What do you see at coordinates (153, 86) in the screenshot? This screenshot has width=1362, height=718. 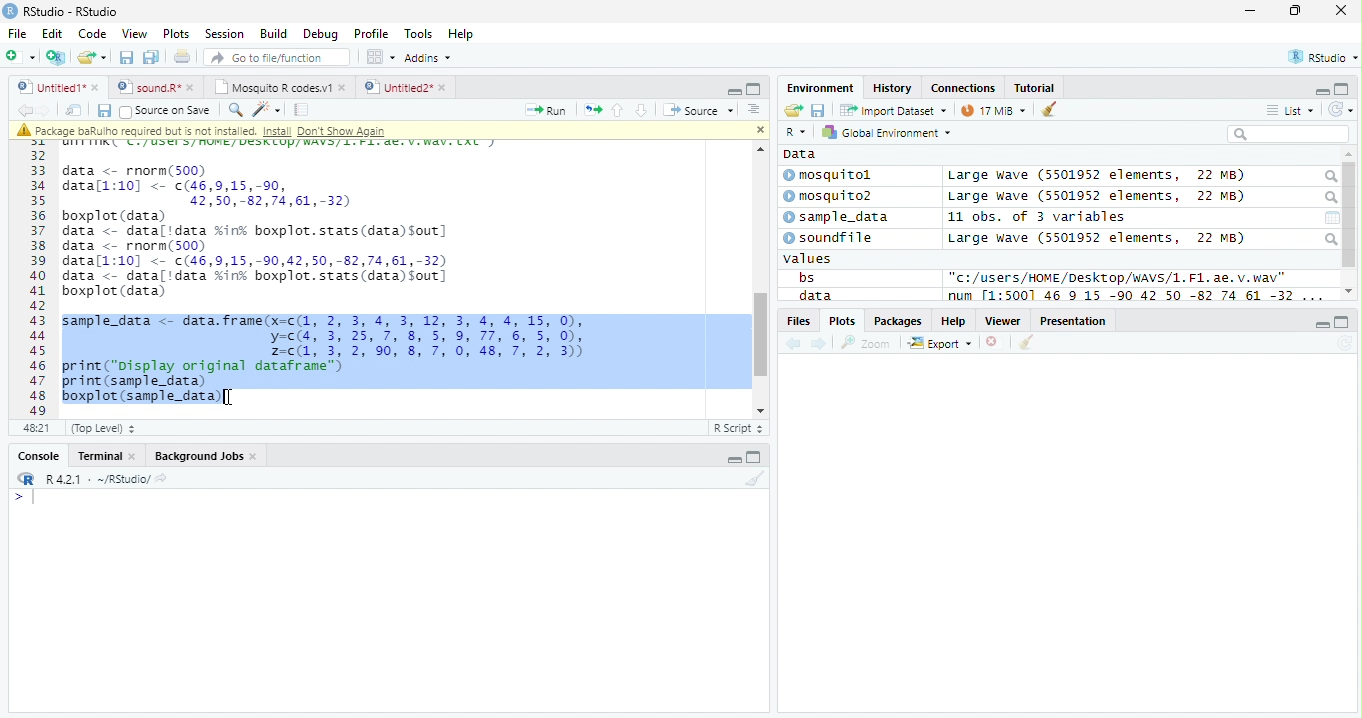 I see `sound.R*` at bounding box center [153, 86].